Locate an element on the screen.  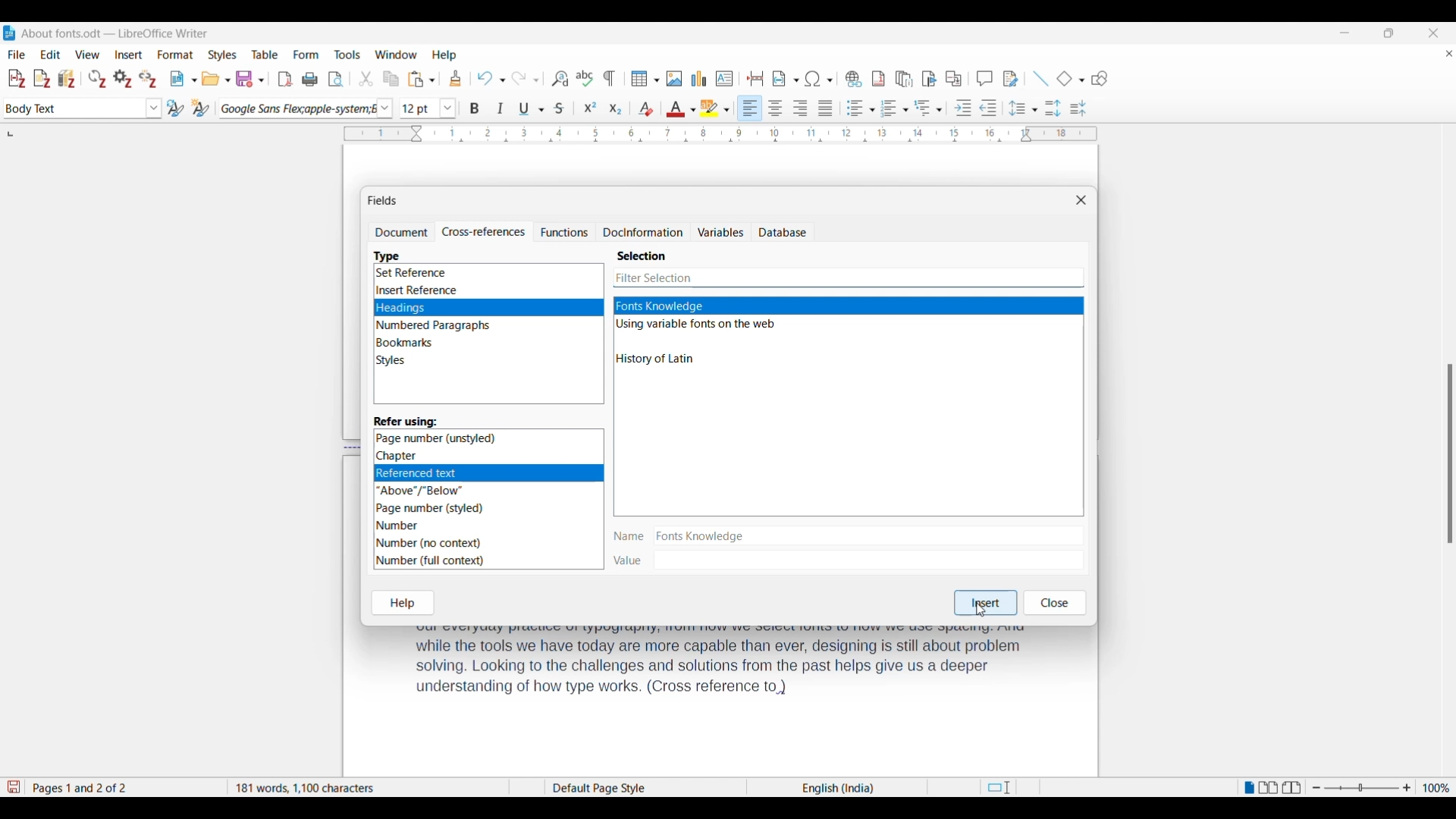
Export directly as PDF is located at coordinates (285, 80).